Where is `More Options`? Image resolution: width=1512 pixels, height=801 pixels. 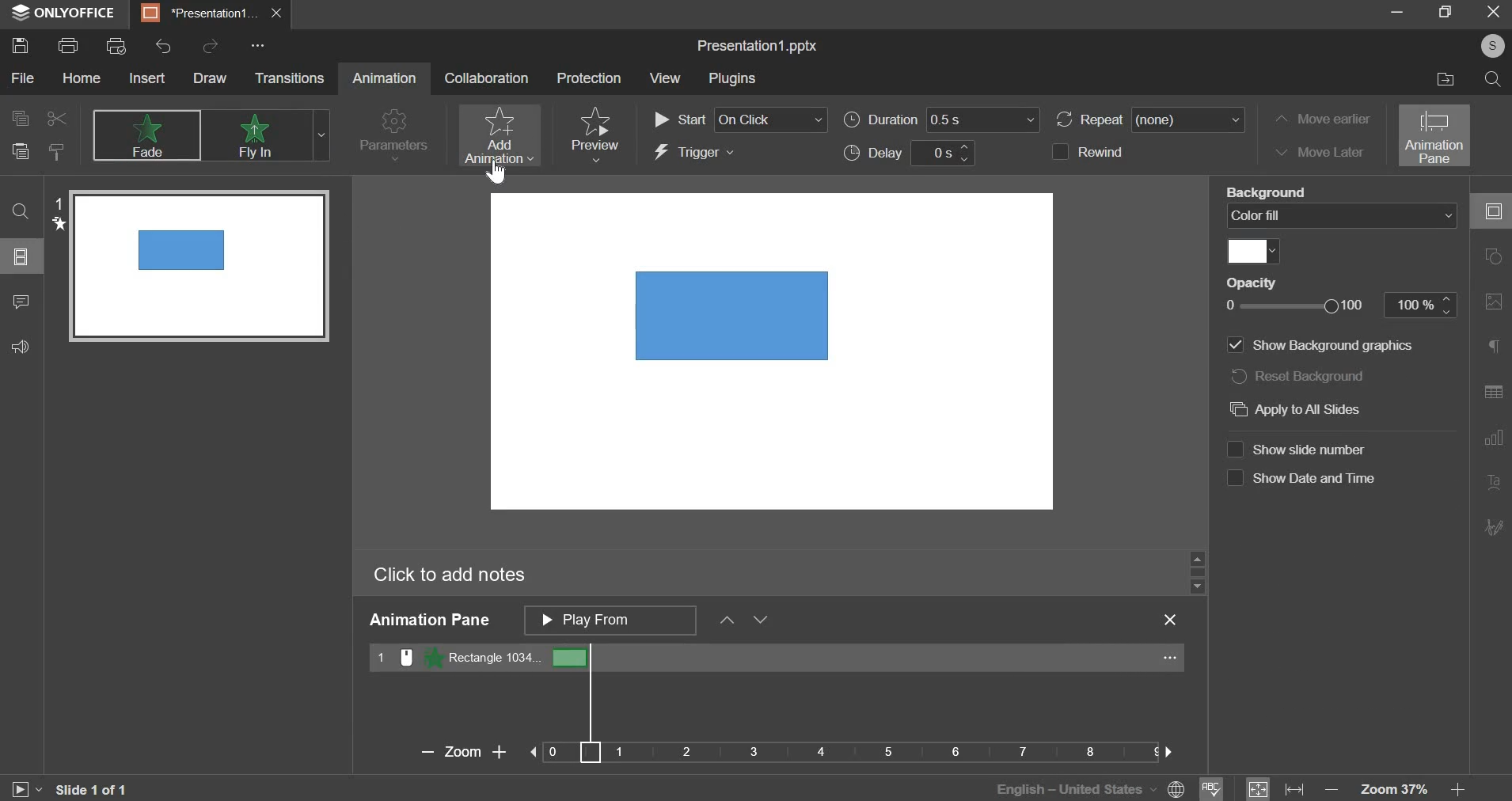 More Options is located at coordinates (1493, 526).